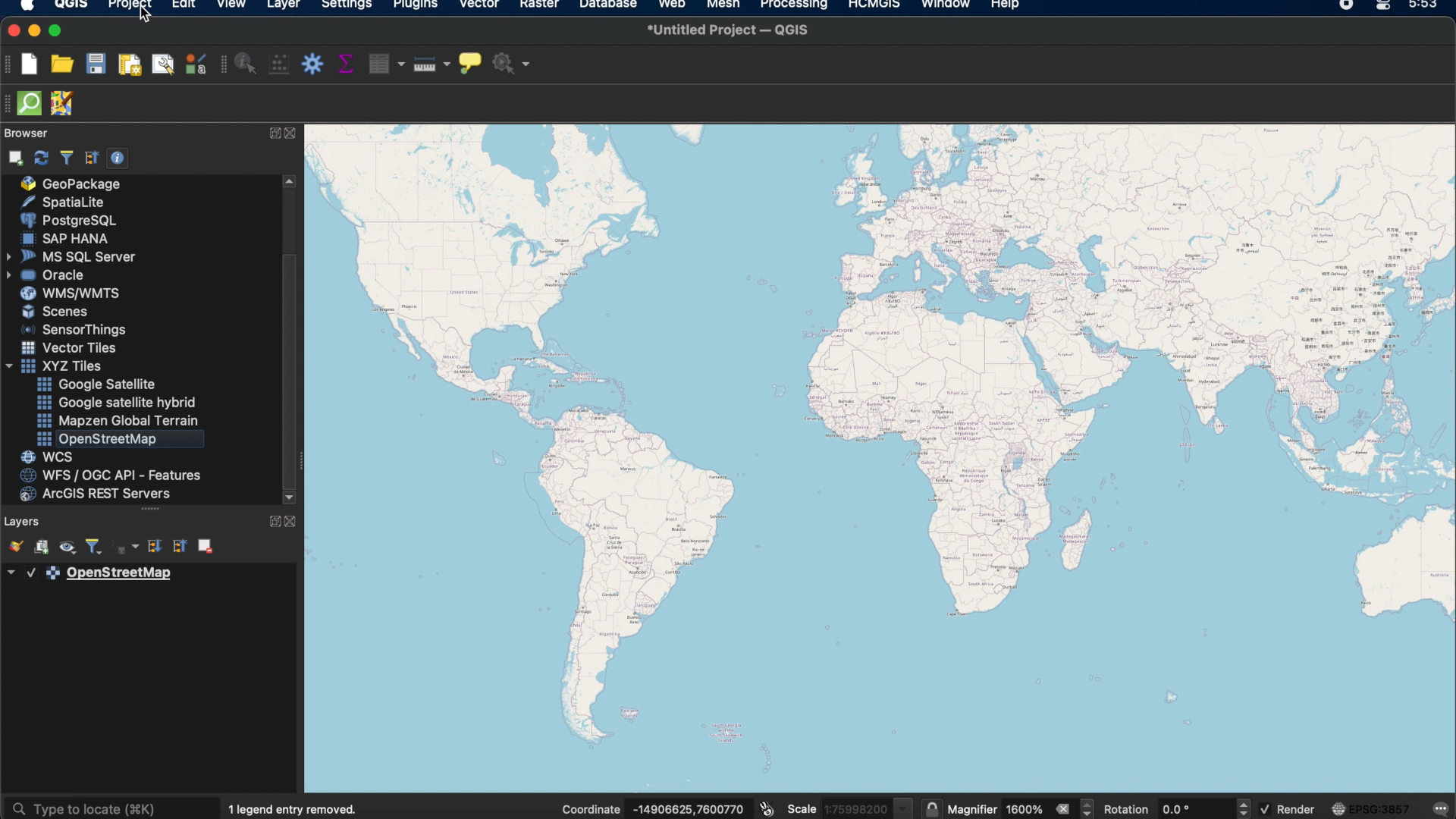 The image size is (1456, 819). Describe the element at coordinates (75, 238) in the screenshot. I see `sap hana` at that location.